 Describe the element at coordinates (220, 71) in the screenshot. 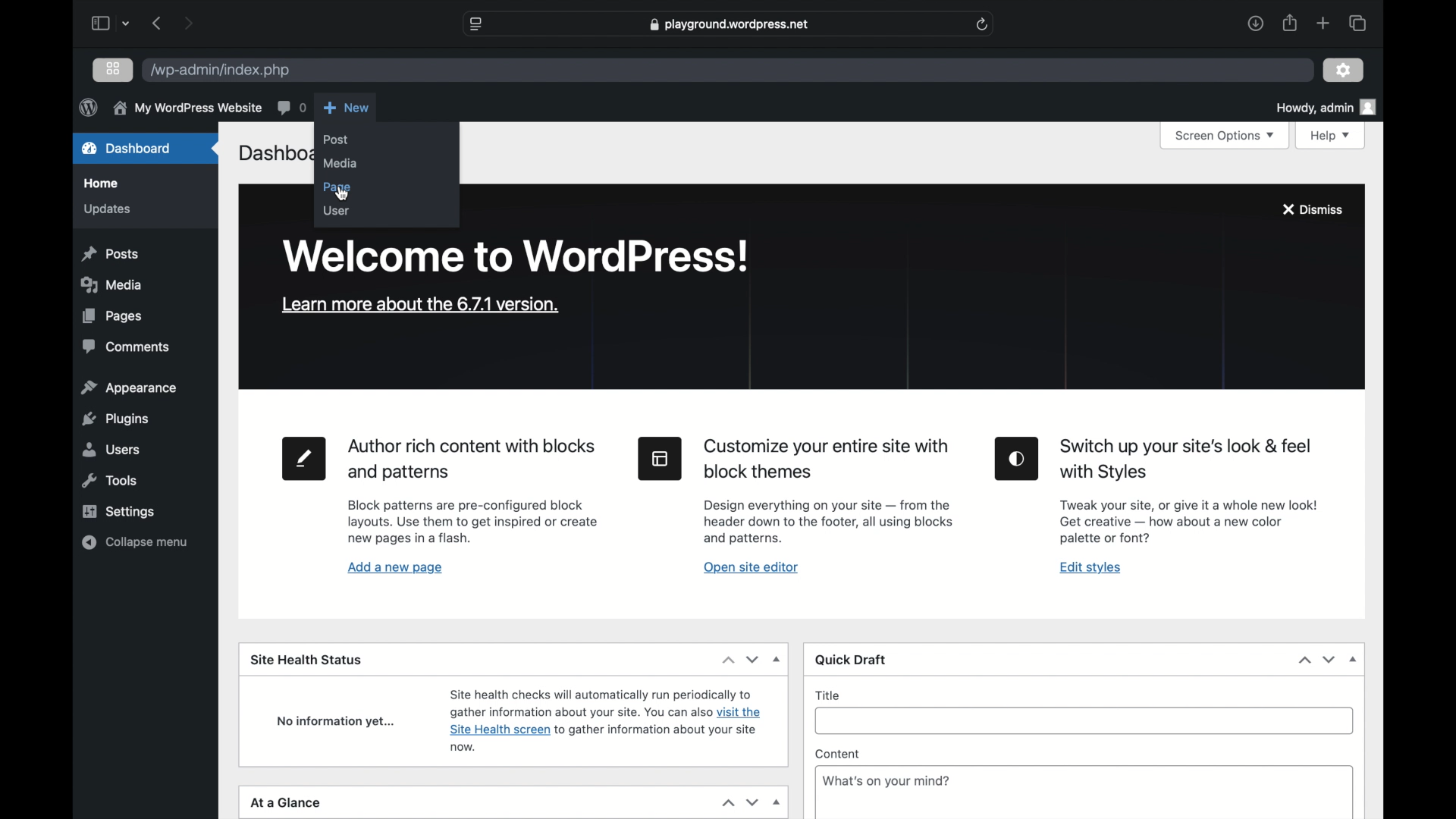

I see `wordpress address` at that location.